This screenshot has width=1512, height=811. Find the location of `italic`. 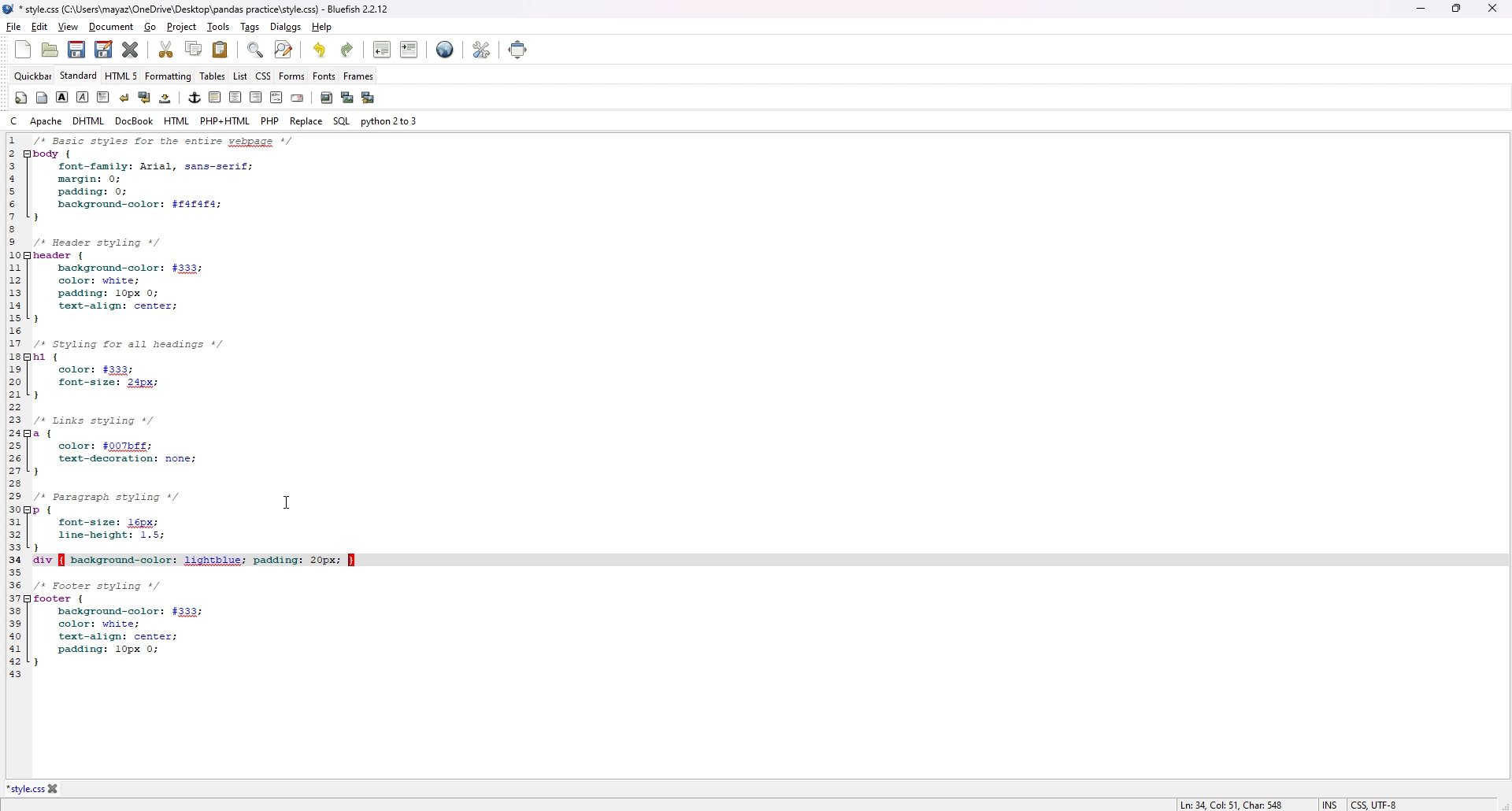

italic is located at coordinates (83, 98).